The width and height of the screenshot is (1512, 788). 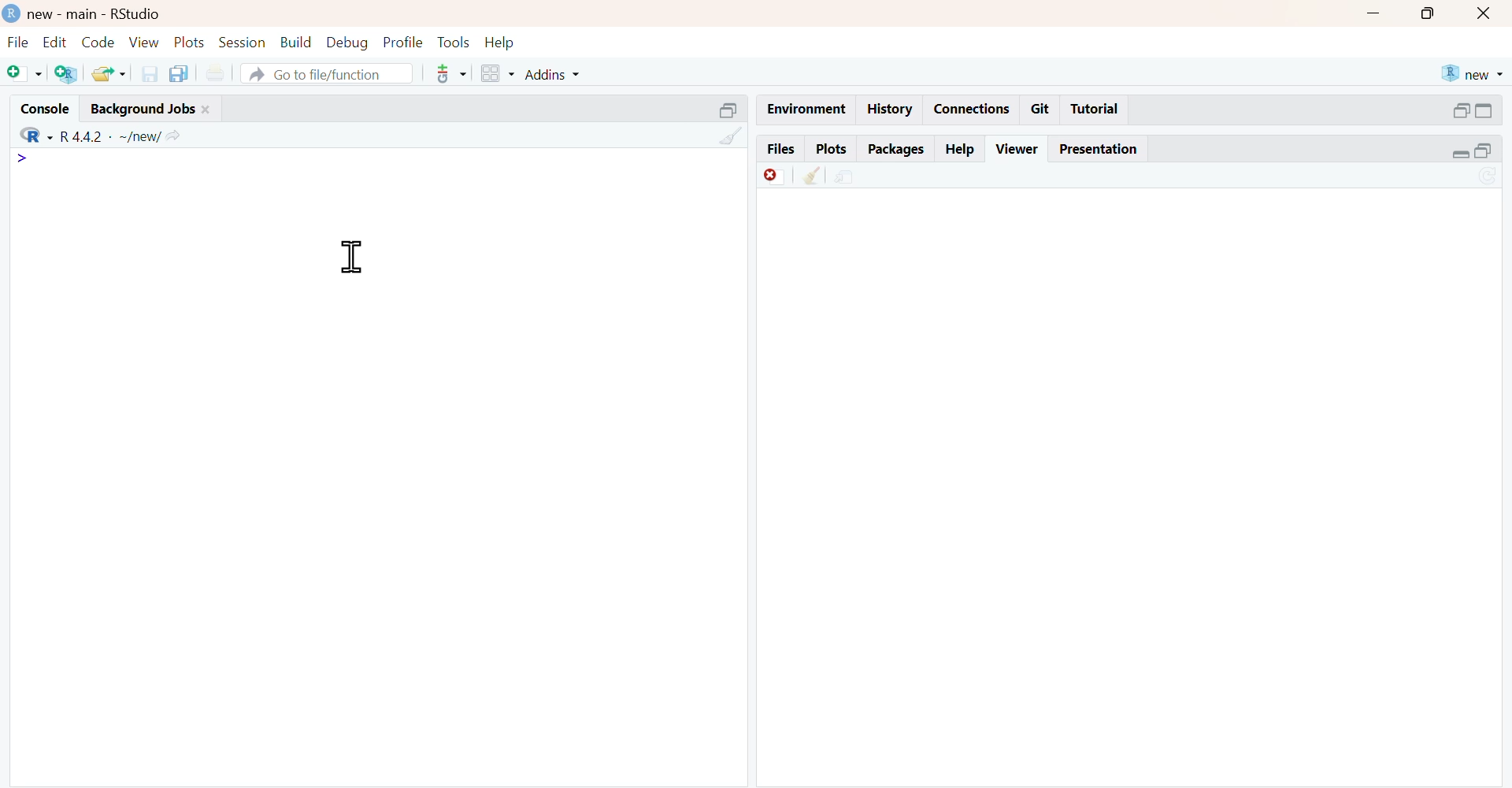 I want to click on file, so click(x=20, y=43).